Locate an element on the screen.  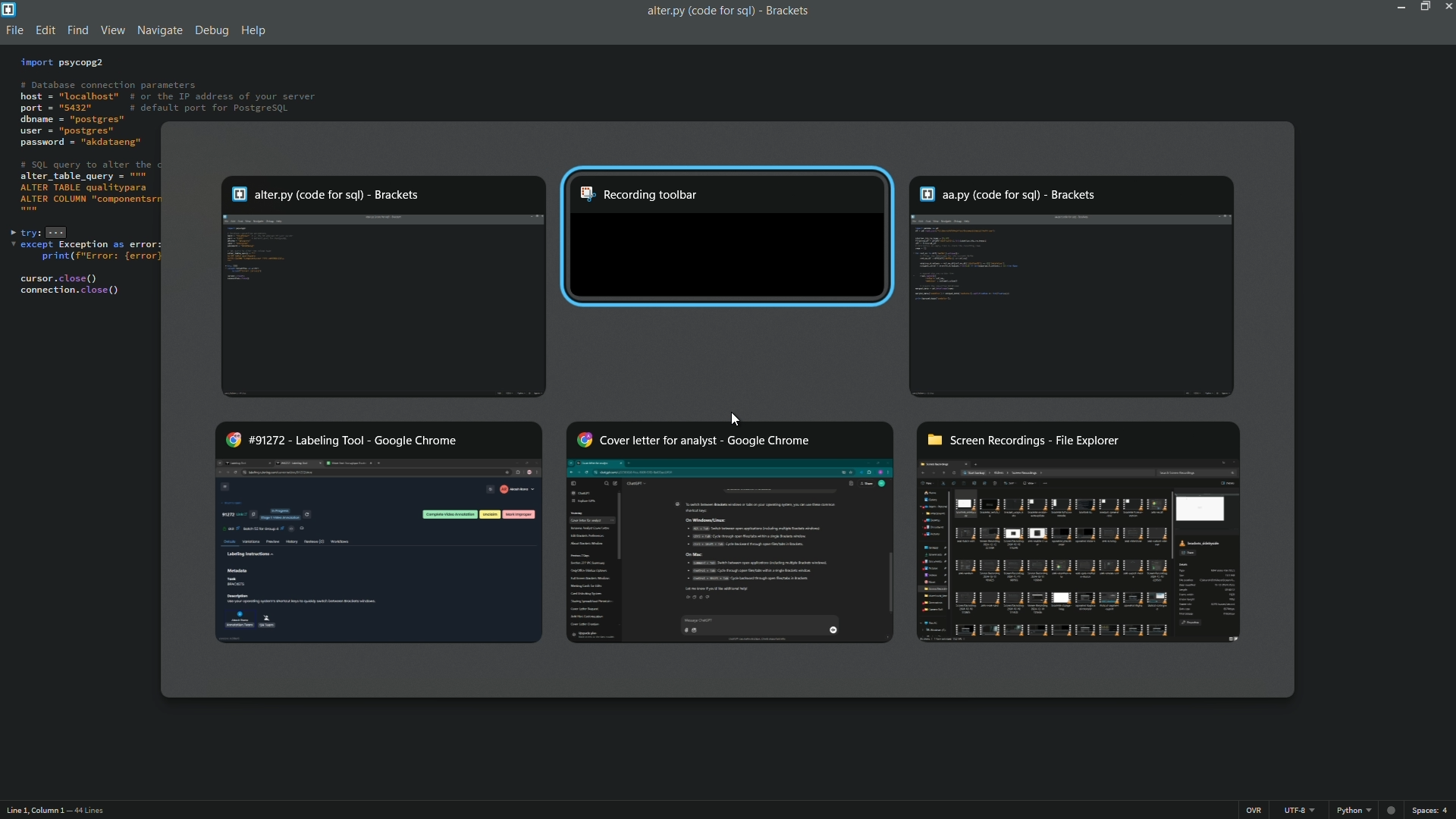
44 lines is located at coordinates (89, 811).